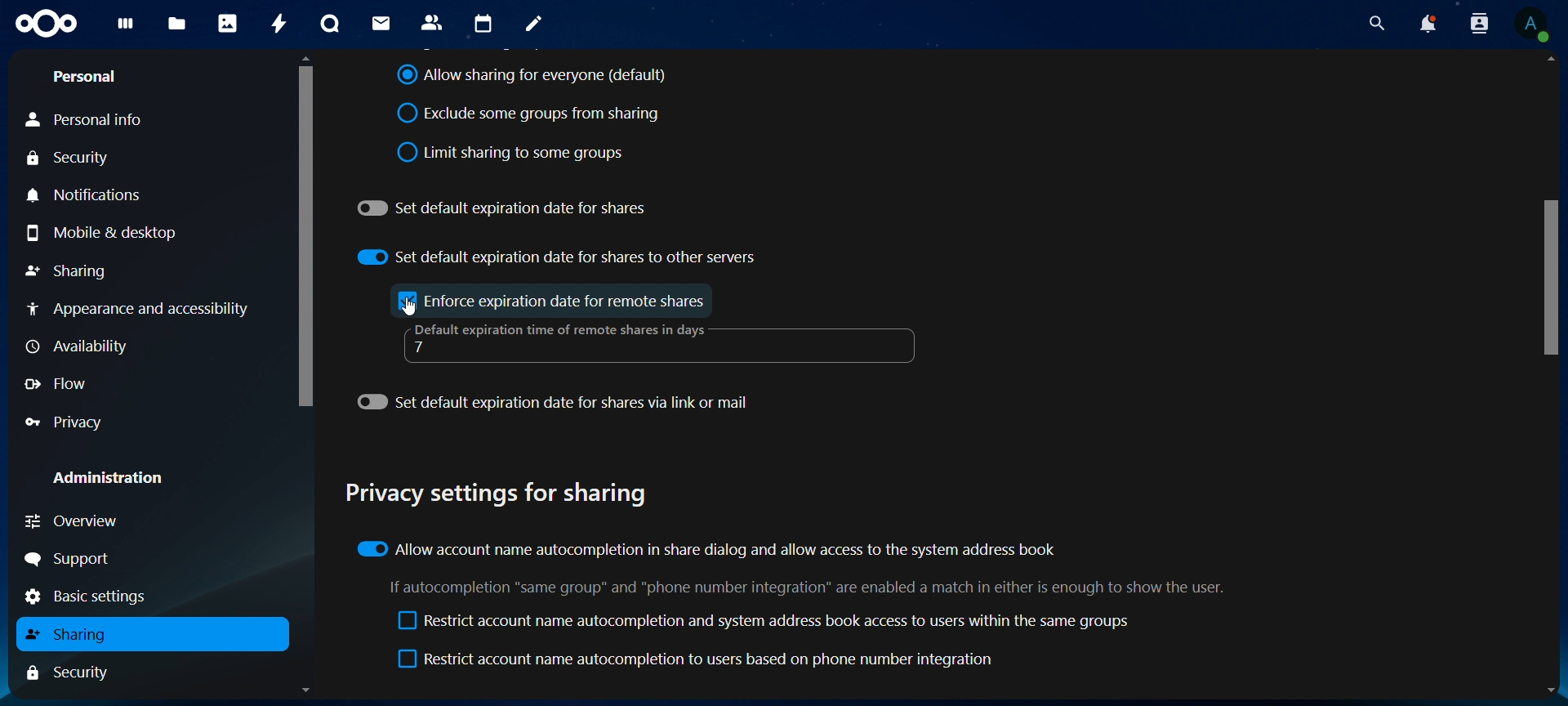  Describe the element at coordinates (532, 77) in the screenshot. I see `allow sharing for everyone` at that location.